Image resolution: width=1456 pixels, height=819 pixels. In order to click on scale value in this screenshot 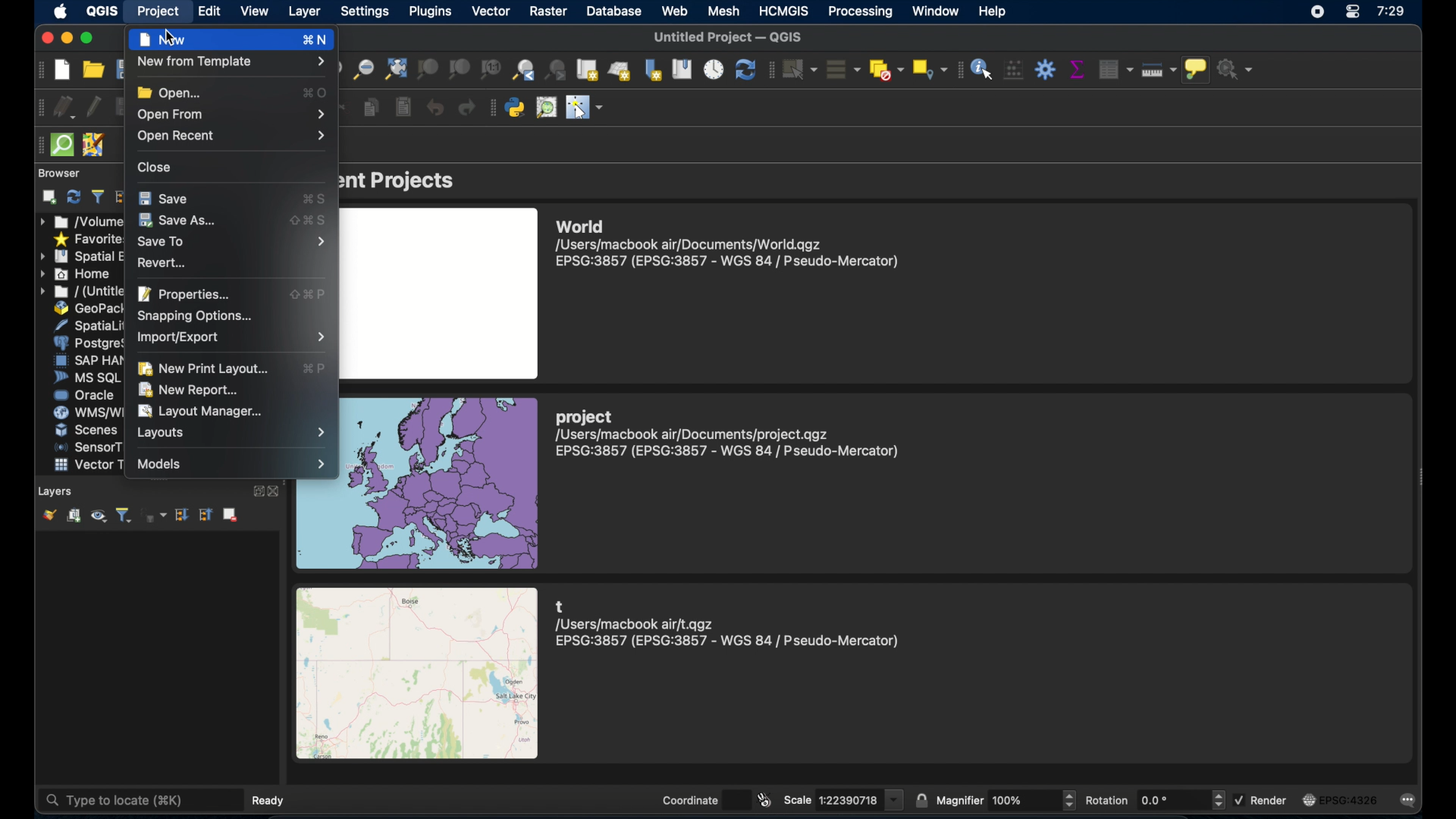, I will do `click(850, 799)`.